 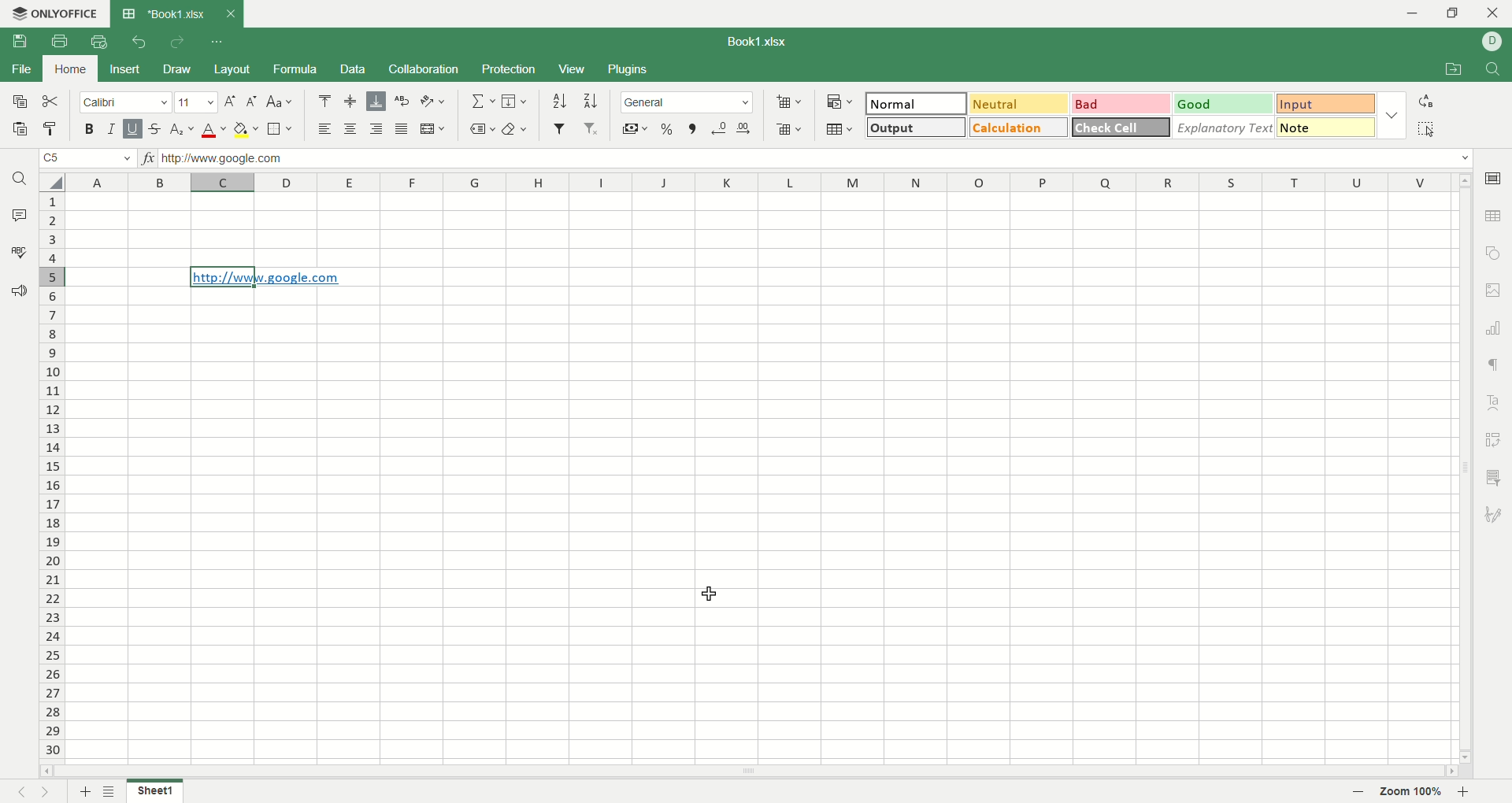 I want to click on sheet1, so click(x=160, y=793).